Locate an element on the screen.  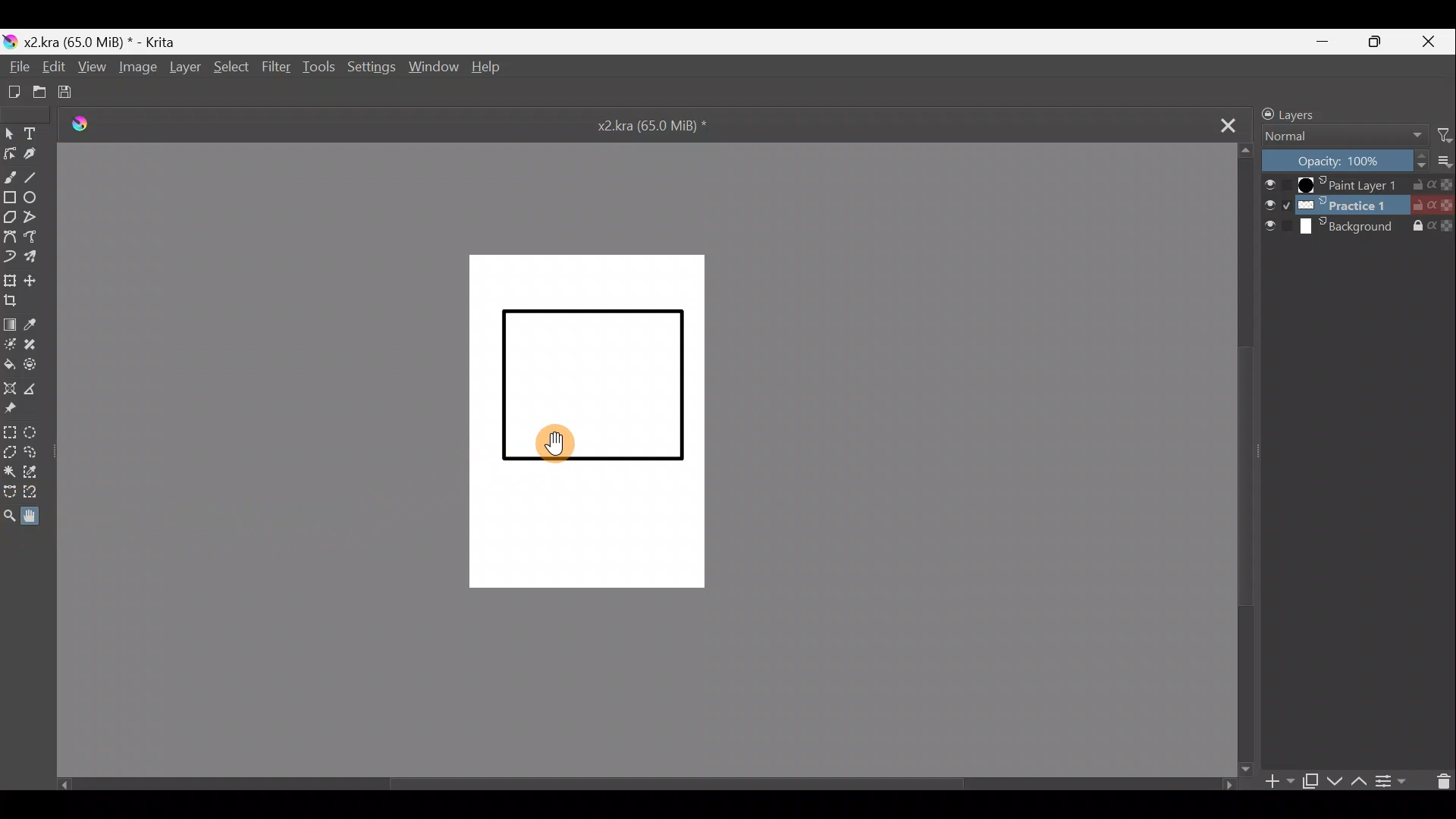
Smart patch tool is located at coordinates (36, 343).